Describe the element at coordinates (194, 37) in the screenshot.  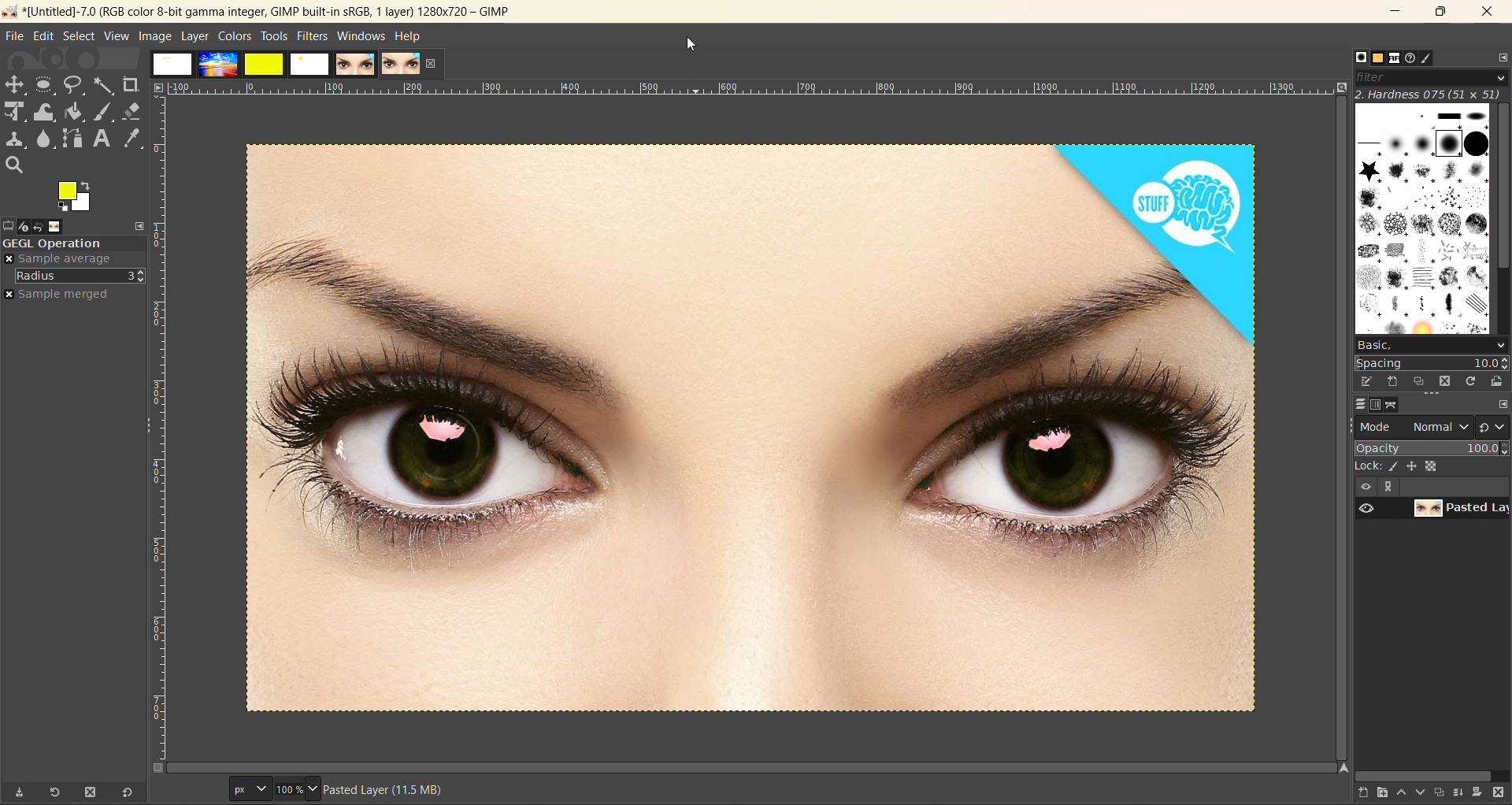
I see `layer` at that location.